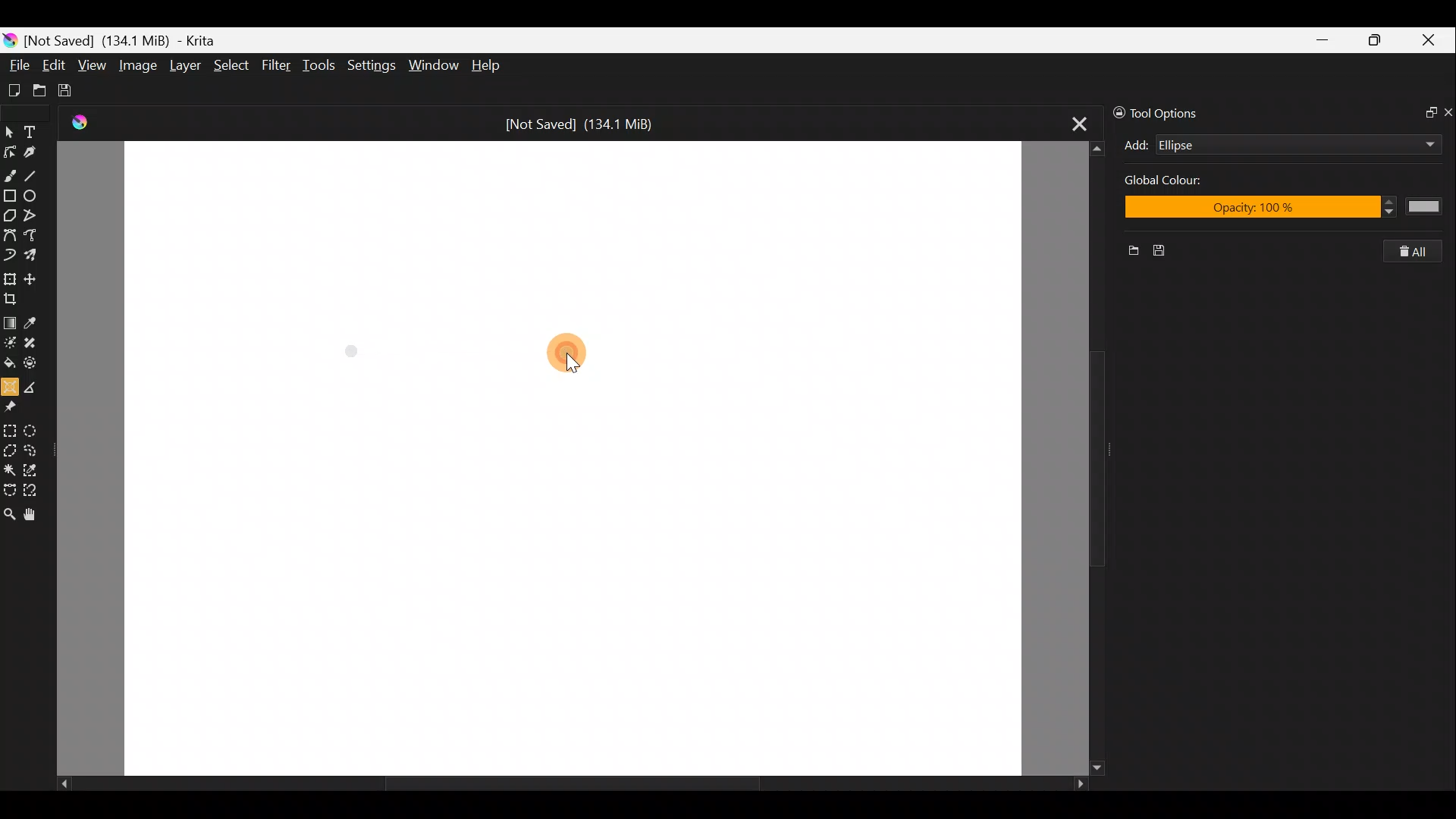 The image size is (1456, 819). I want to click on Transform a layer/selection, so click(11, 277).